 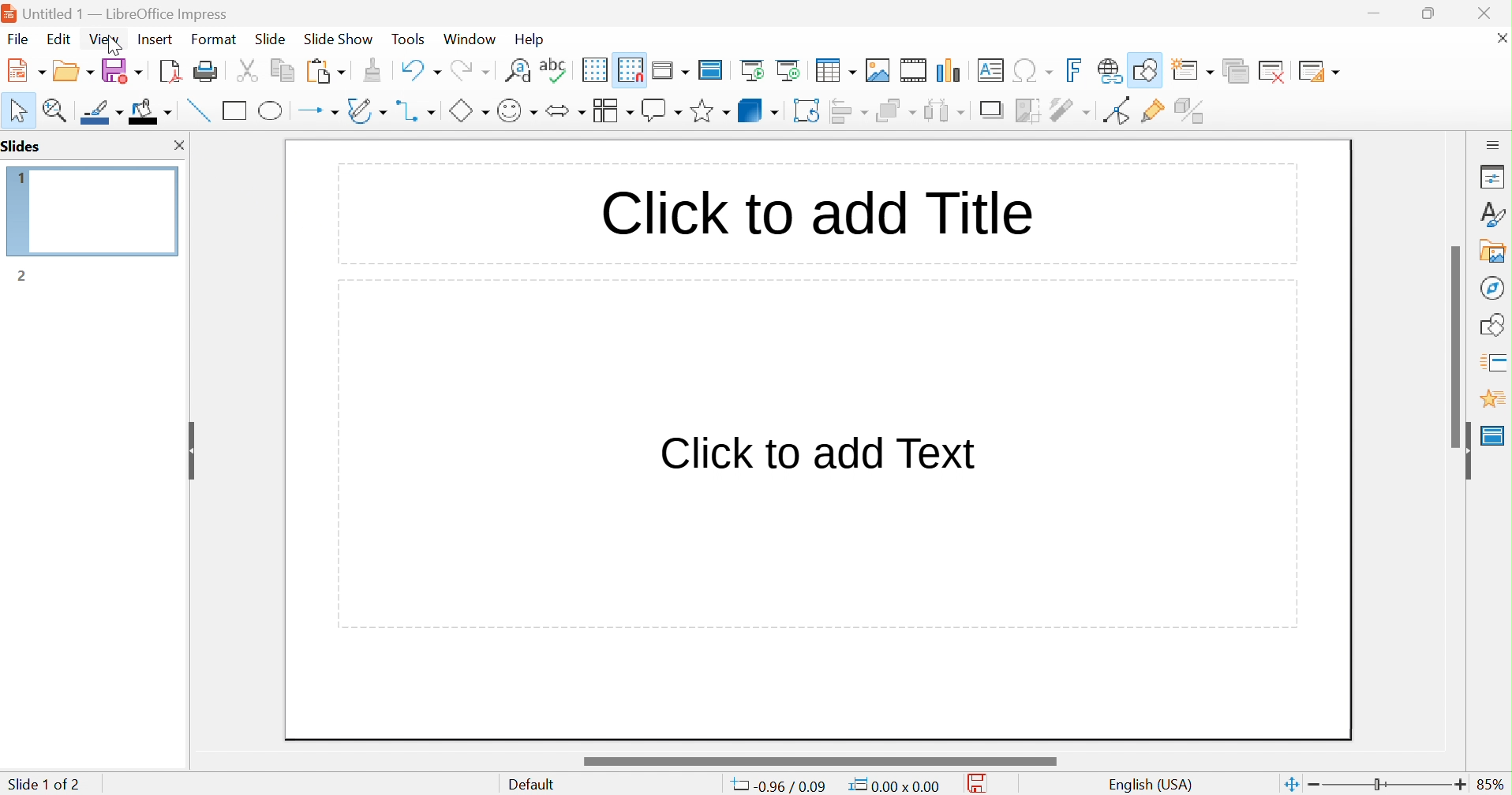 What do you see at coordinates (469, 39) in the screenshot?
I see `window` at bounding box center [469, 39].